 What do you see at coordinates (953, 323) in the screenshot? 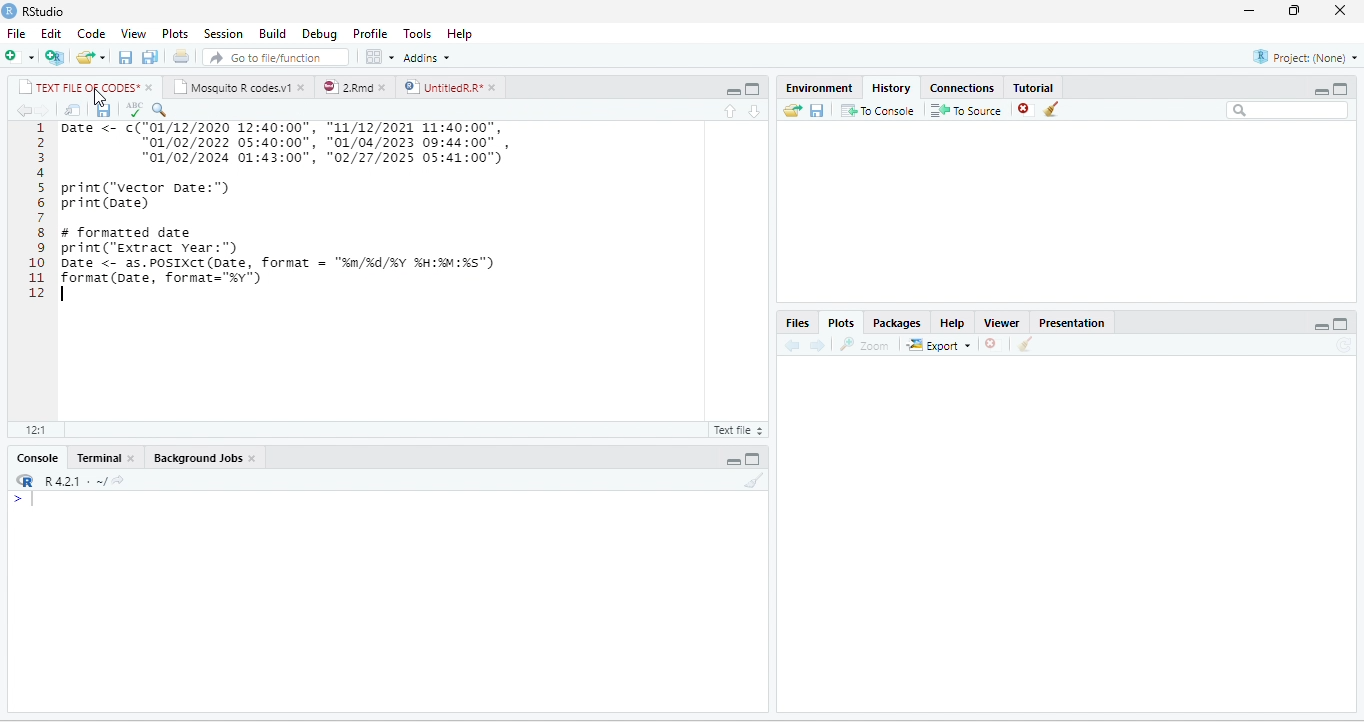
I see `Help` at bounding box center [953, 323].